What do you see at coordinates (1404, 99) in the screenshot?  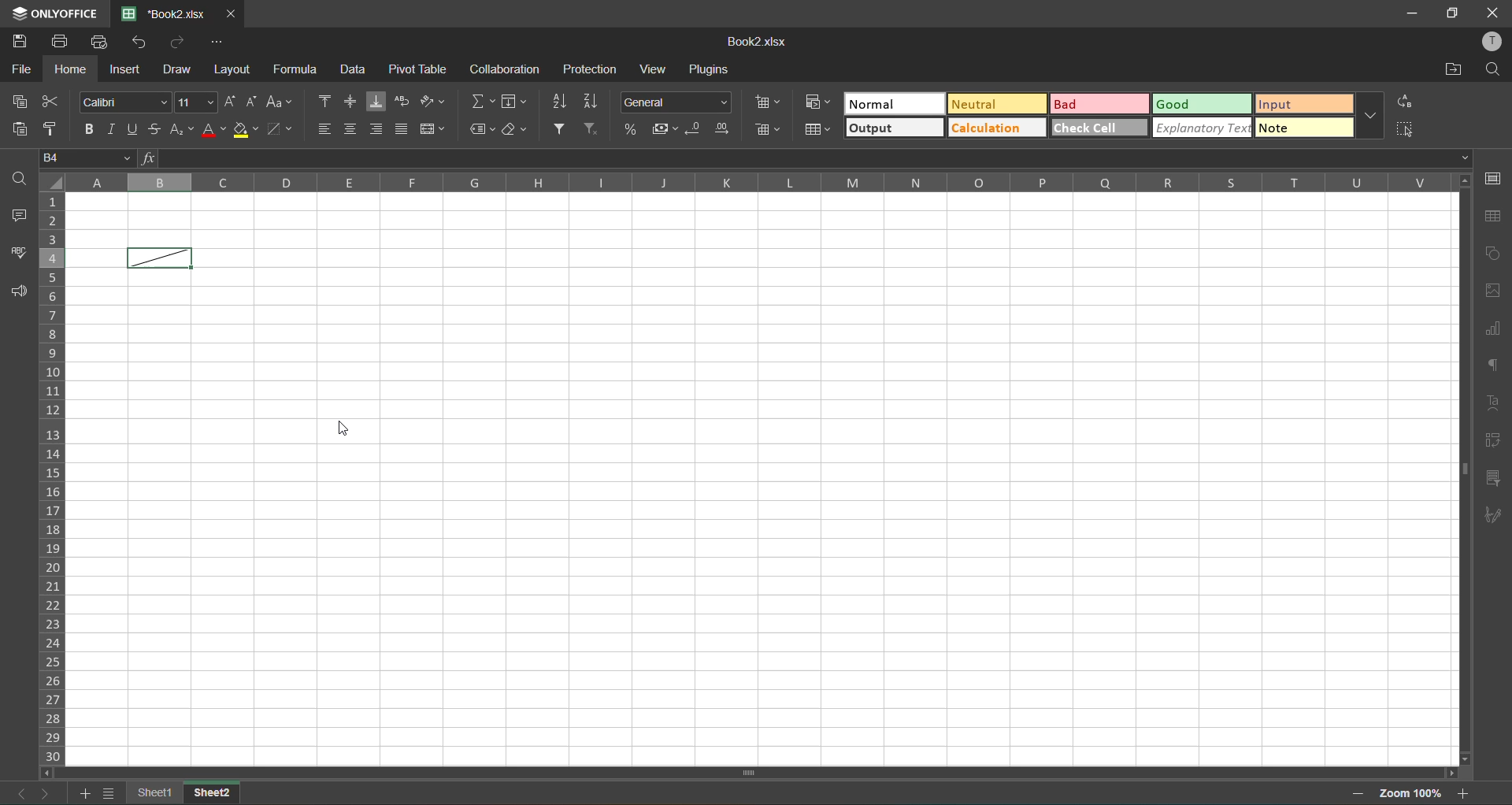 I see `replace` at bounding box center [1404, 99].